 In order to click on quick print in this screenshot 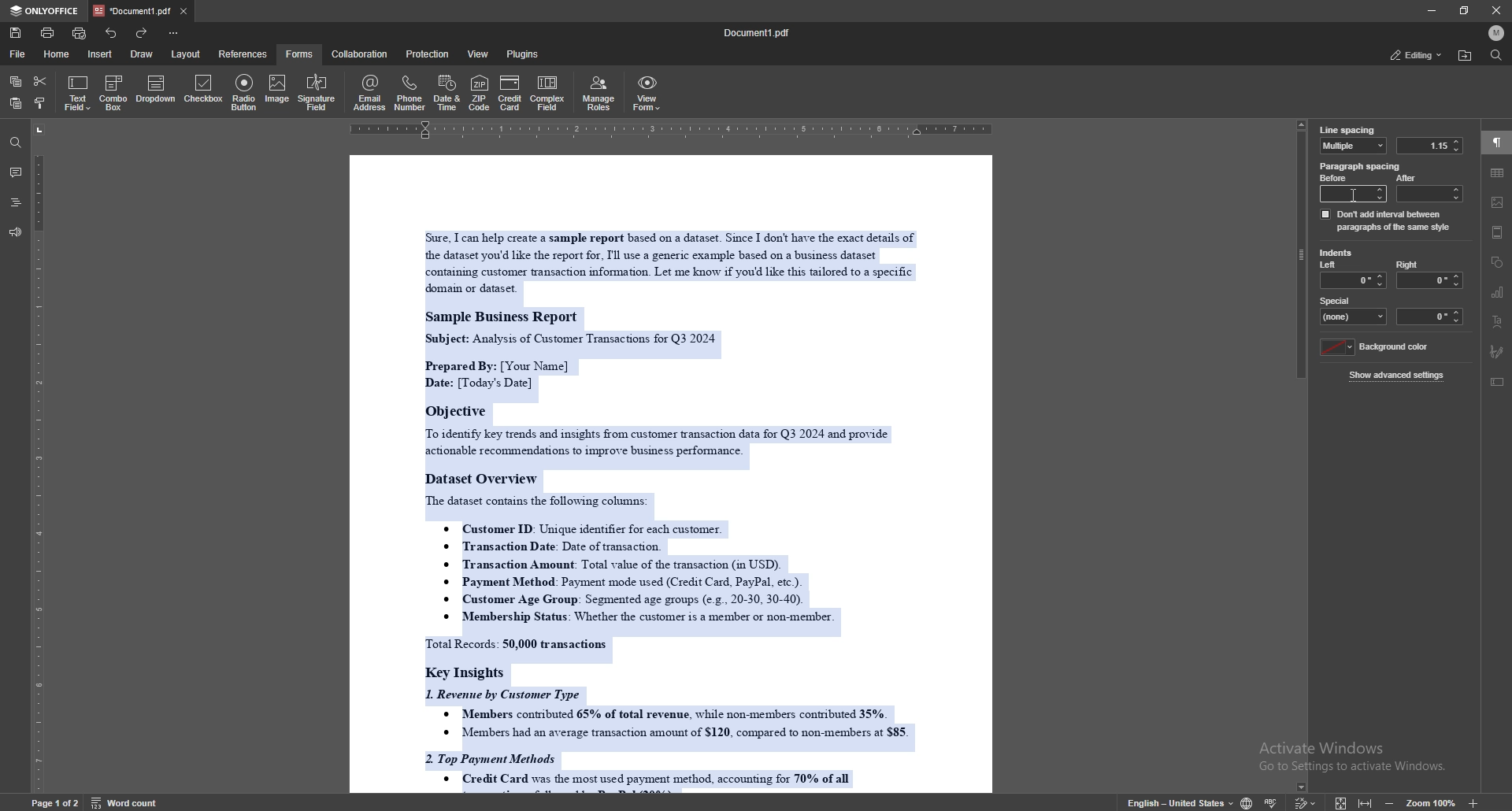, I will do `click(81, 33)`.